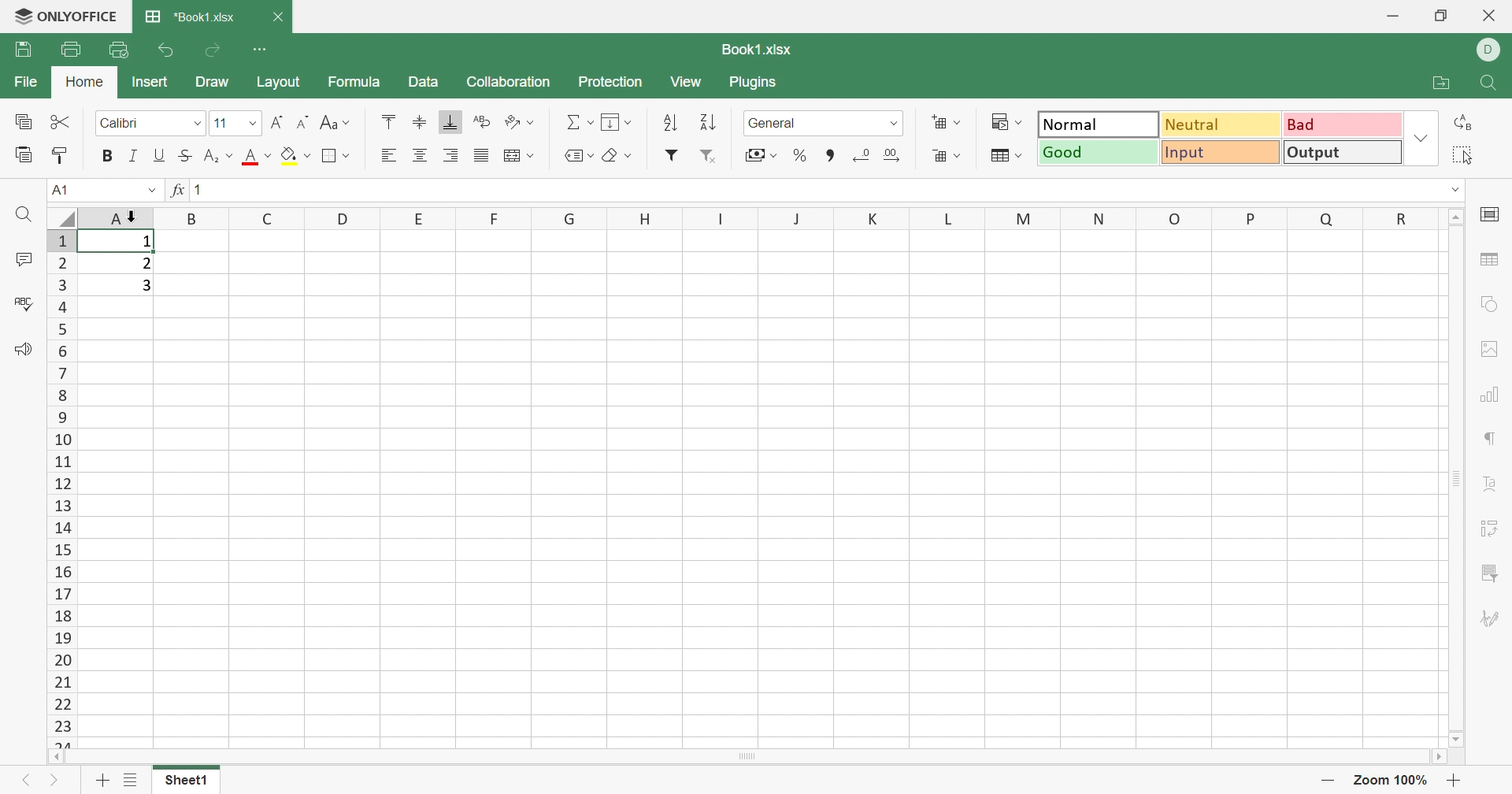  Describe the element at coordinates (946, 156) in the screenshot. I see `Delete cells` at that location.